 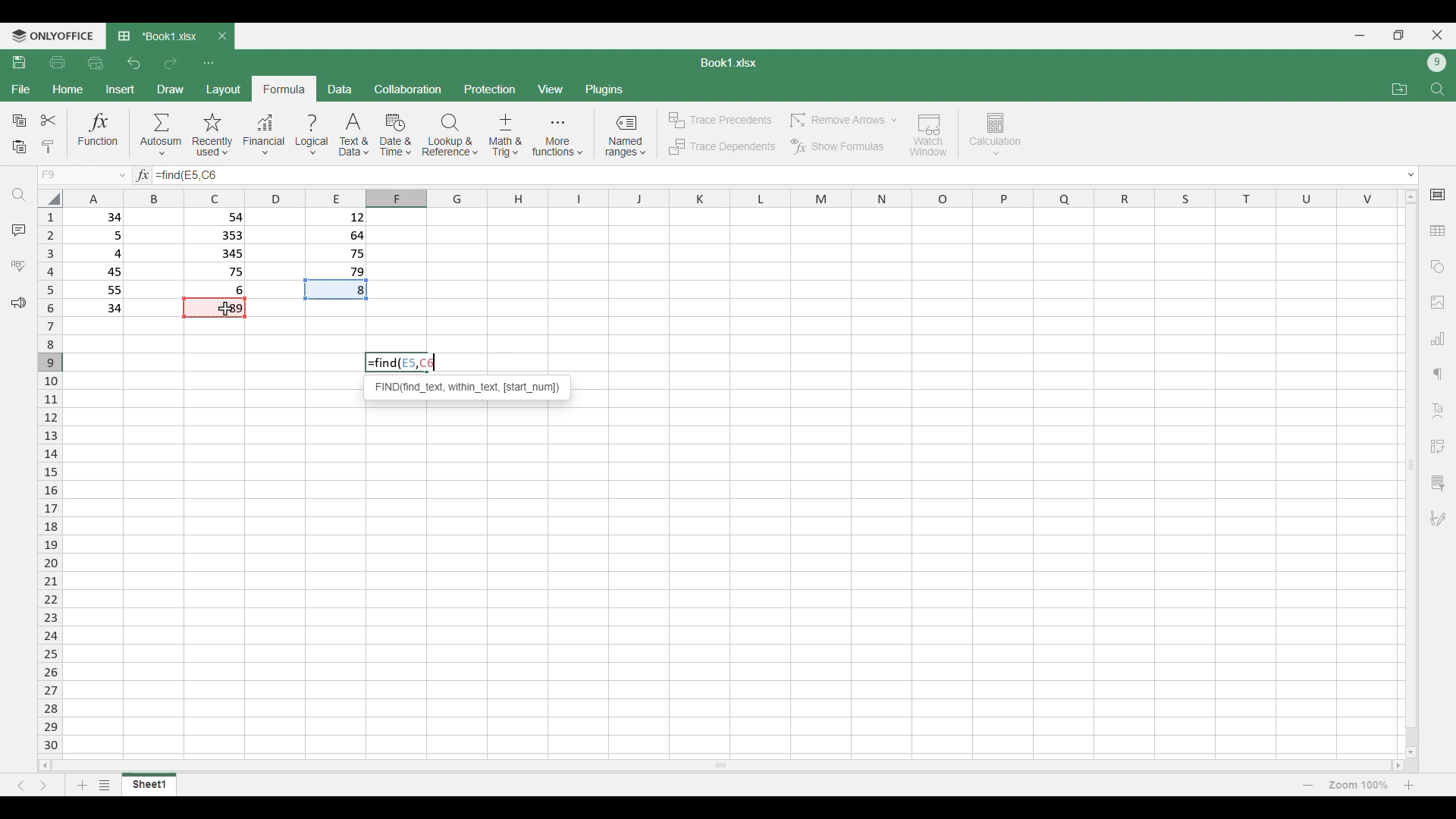 What do you see at coordinates (721, 147) in the screenshot?
I see `Trace dependents` at bounding box center [721, 147].